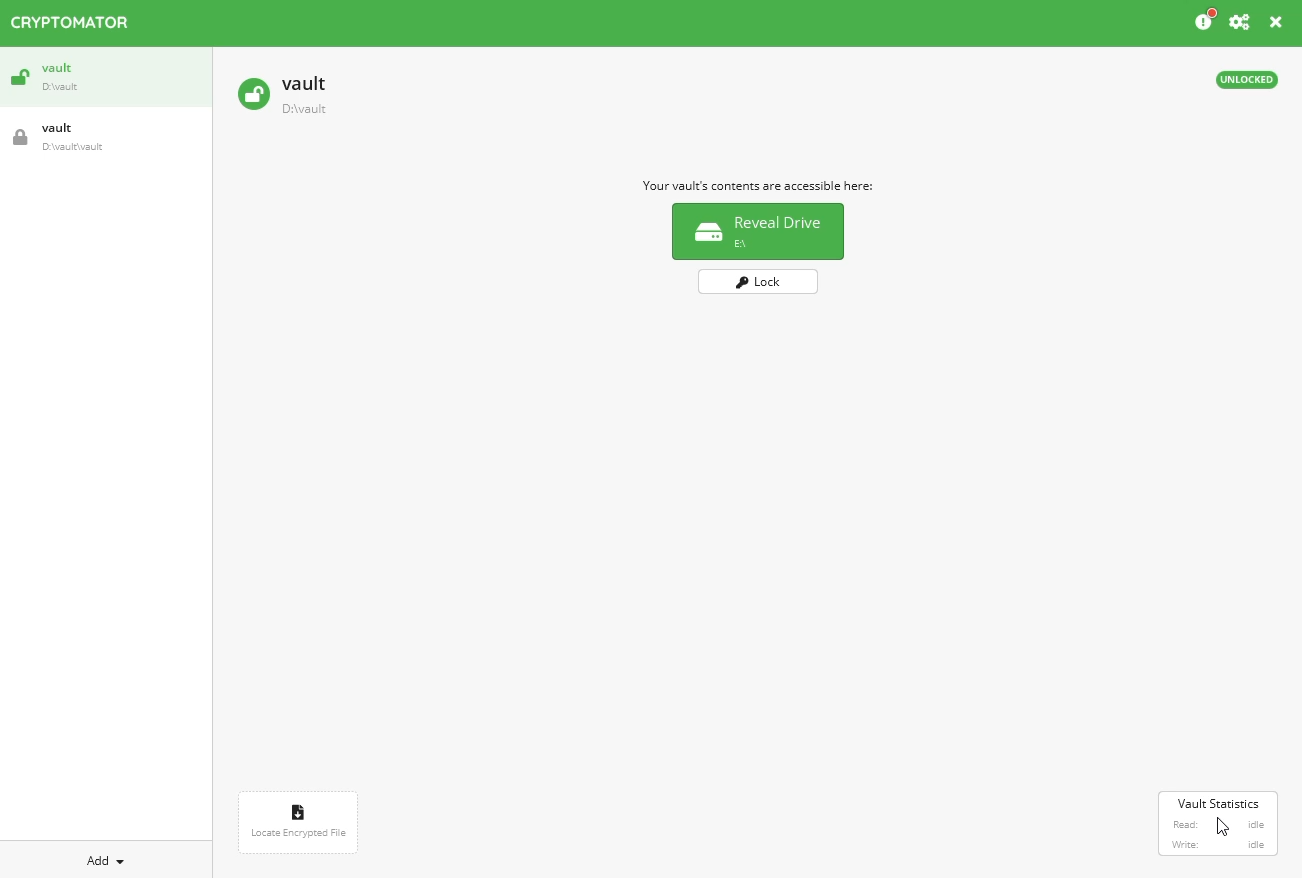  What do you see at coordinates (1222, 827) in the screenshot?
I see `Cursor` at bounding box center [1222, 827].